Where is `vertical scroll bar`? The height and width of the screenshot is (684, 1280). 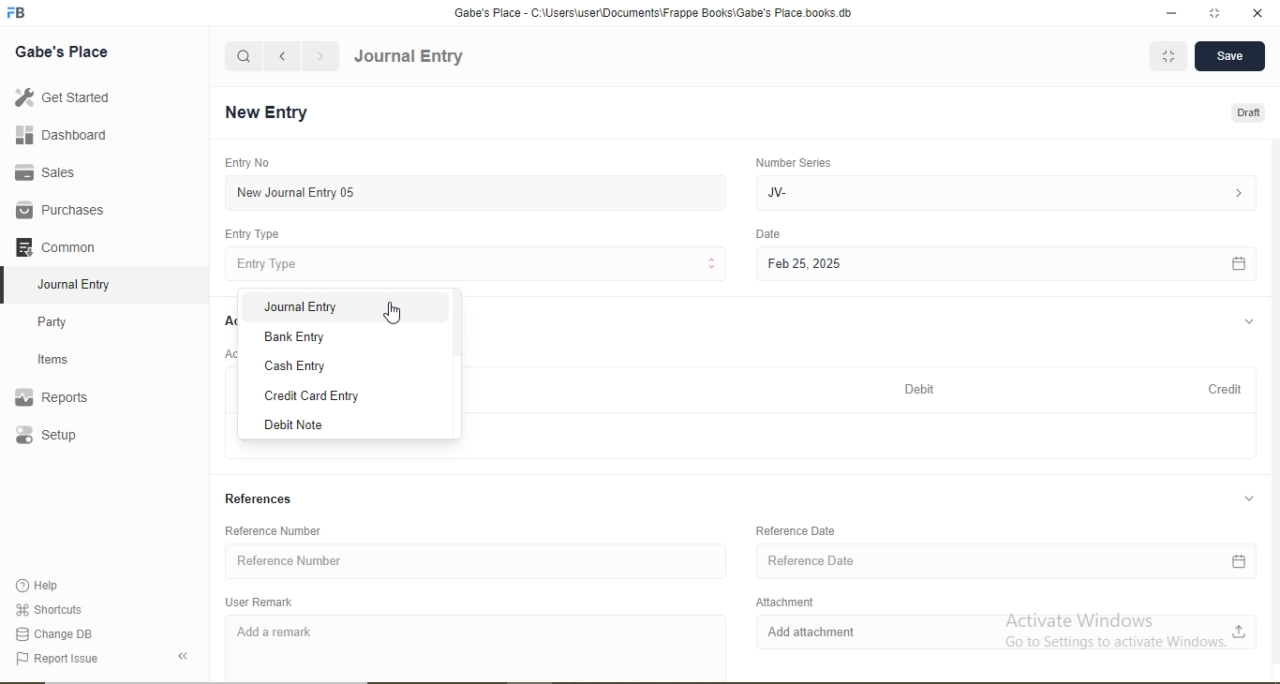 vertical scroll bar is located at coordinates (454, 365).